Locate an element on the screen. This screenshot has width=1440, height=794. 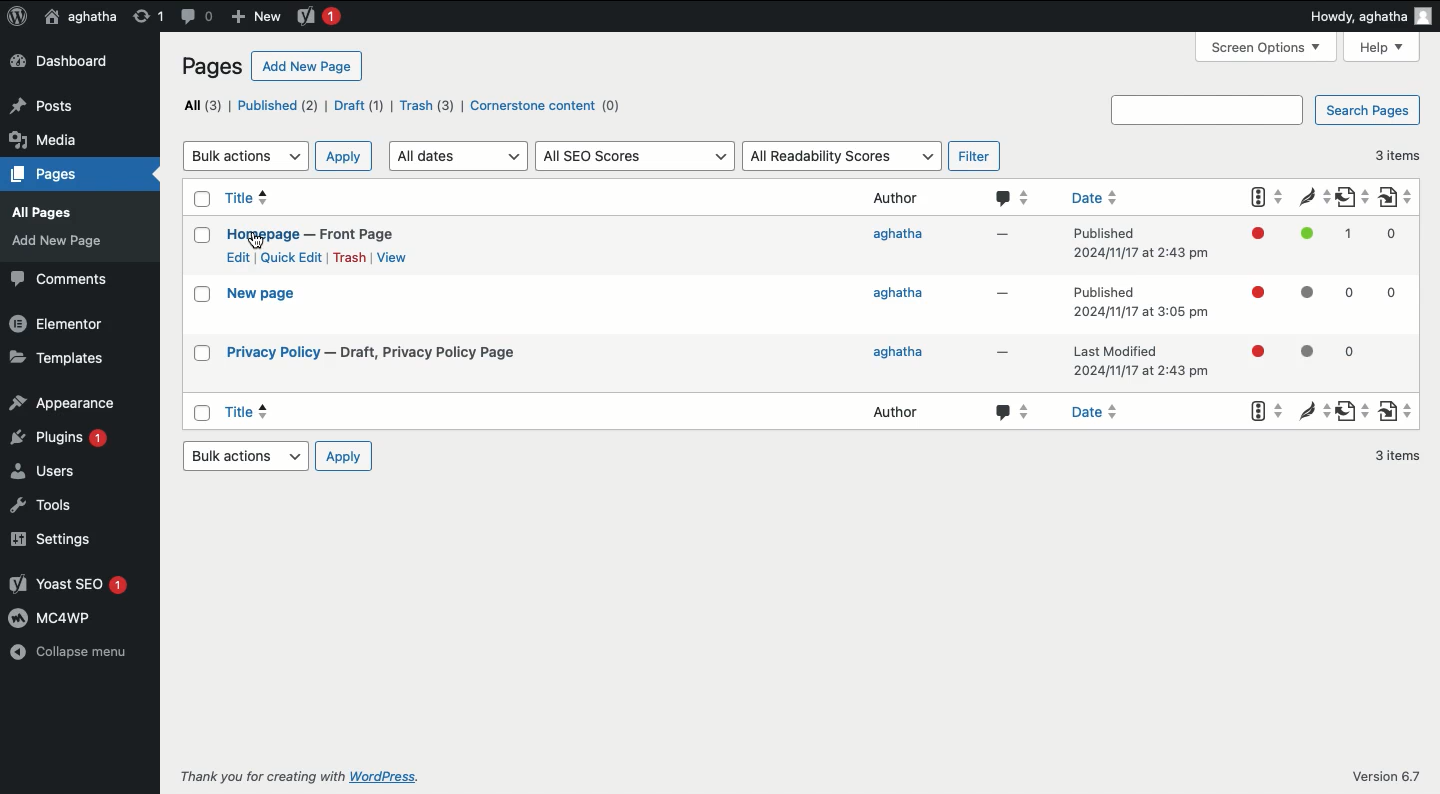
Comments is located at coordinates (60, 280).